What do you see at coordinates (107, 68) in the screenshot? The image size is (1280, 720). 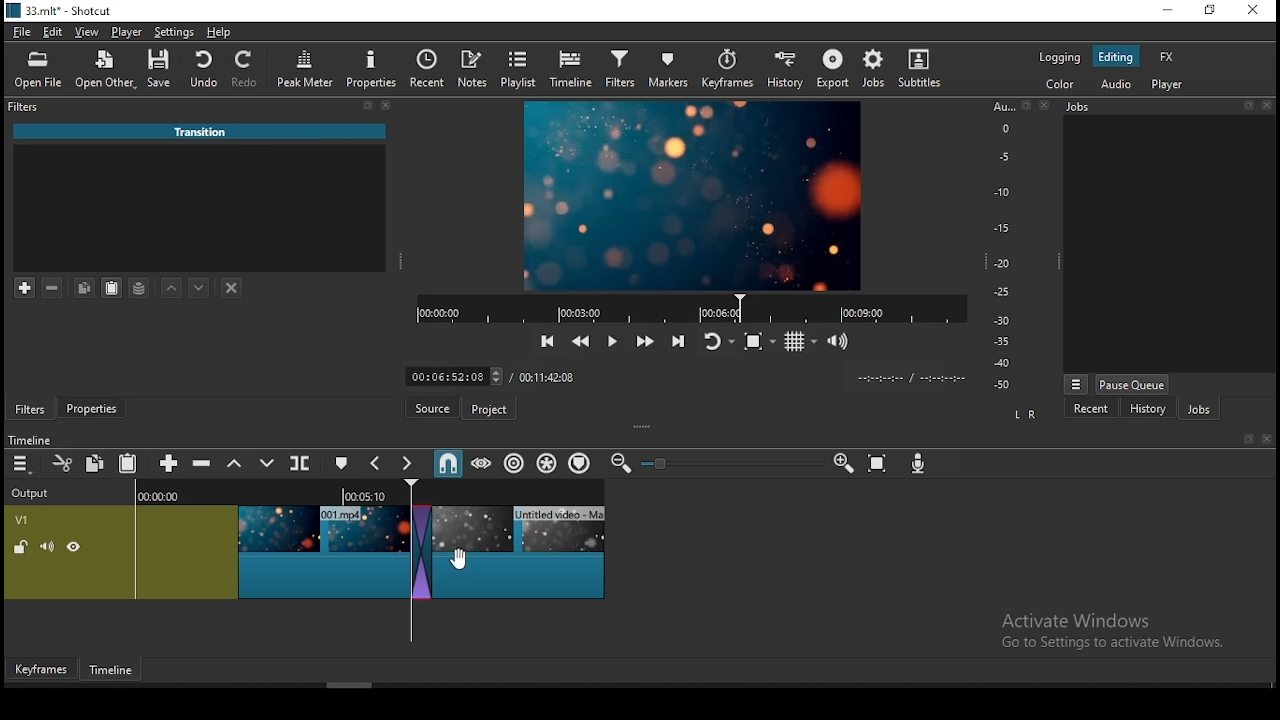 I see `open other` at bounding box center [107, 68].